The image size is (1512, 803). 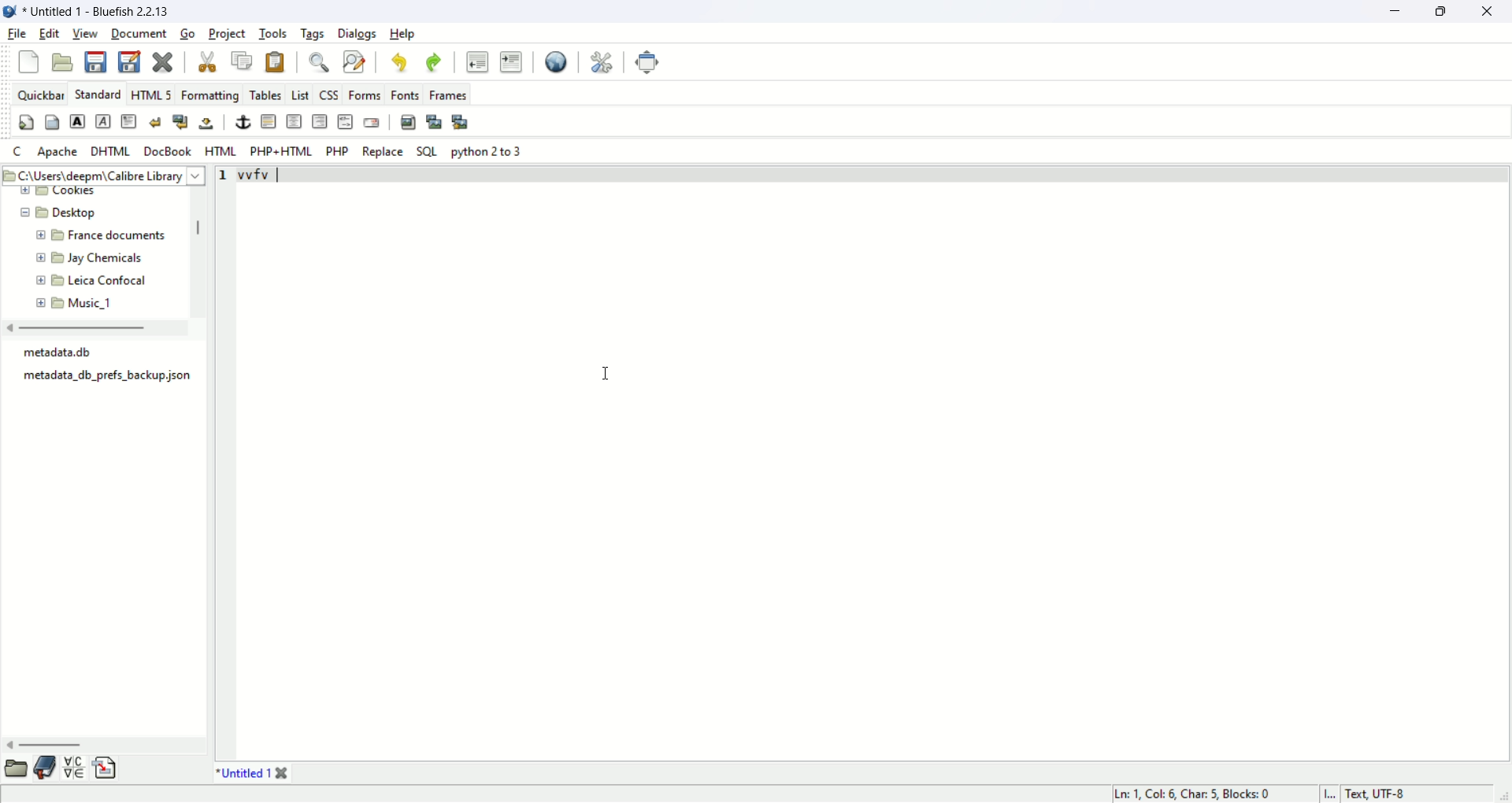 I want to click on css, so click(x=330, y=97).